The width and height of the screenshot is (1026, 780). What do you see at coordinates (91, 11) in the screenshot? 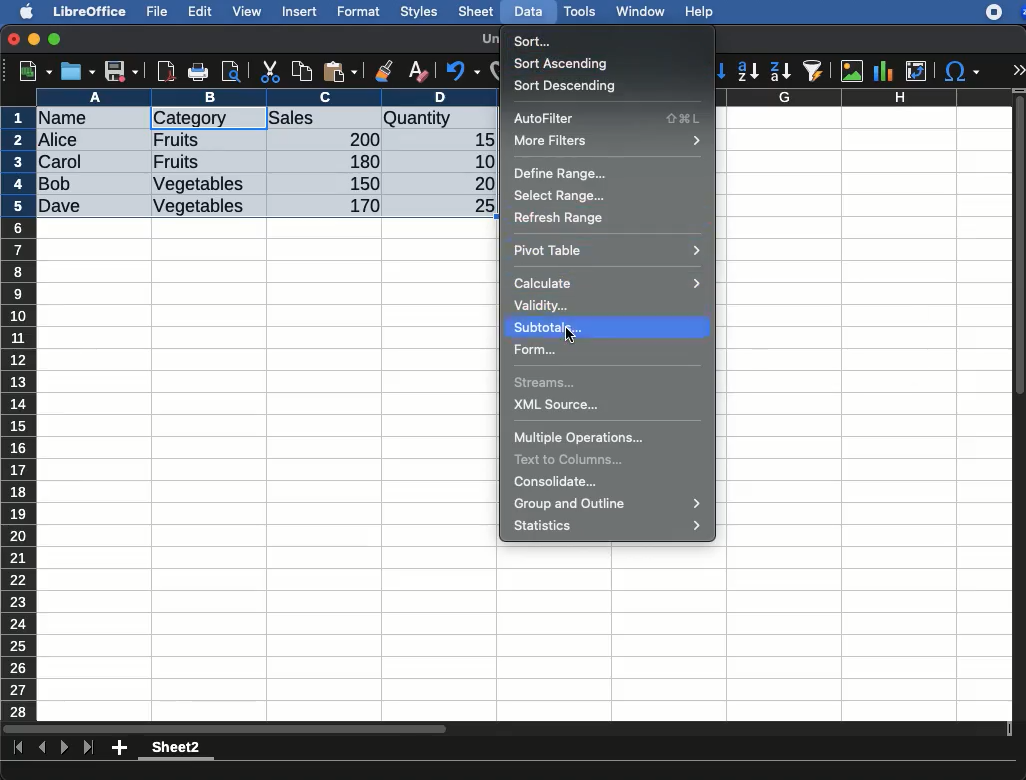
I see `libreoffice` at bounding box center [91, 11].